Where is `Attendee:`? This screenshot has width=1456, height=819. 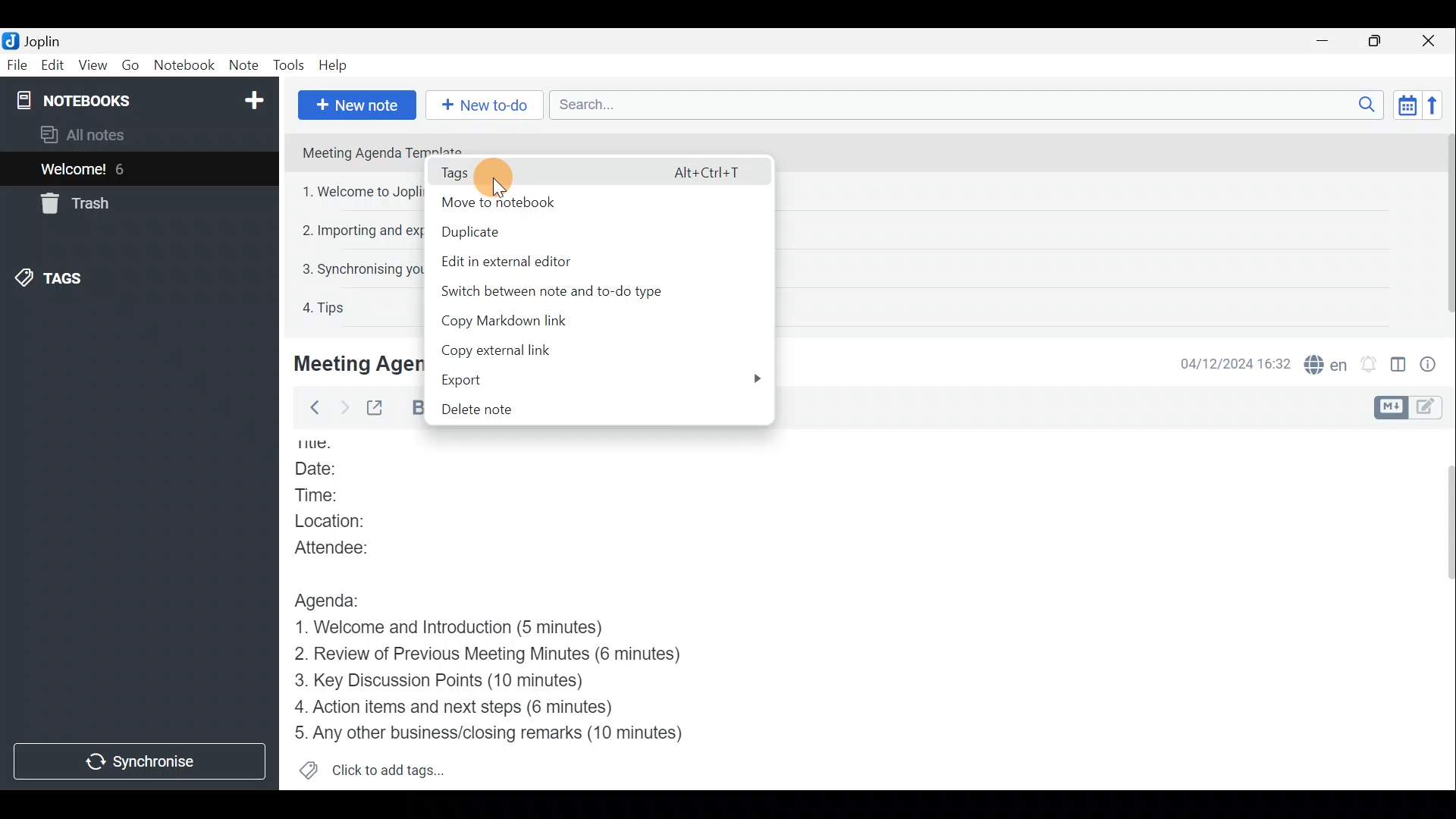
Attendee: is located at coordinates (350, 546).